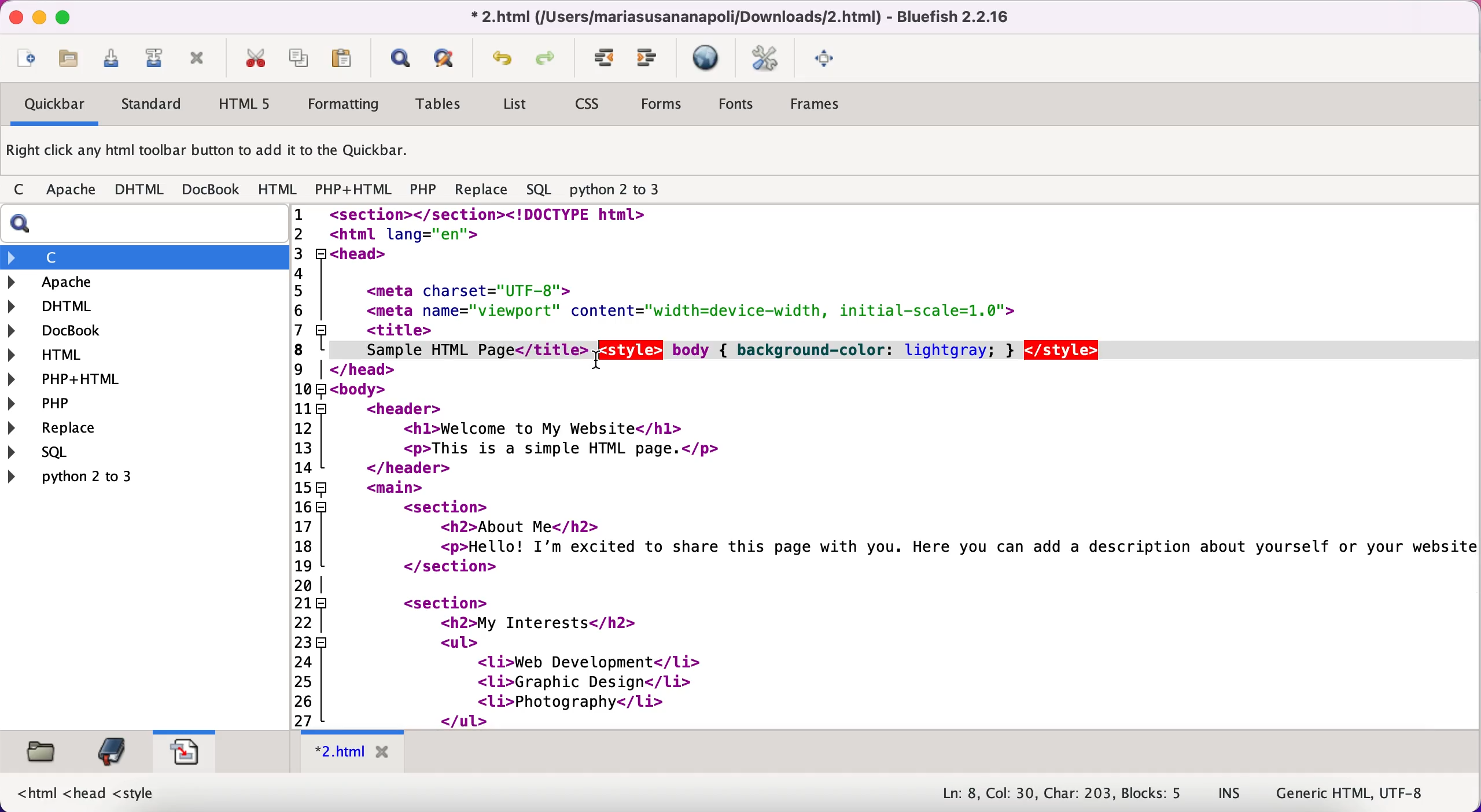  What do you see at coordinates (74, 62) in the screenshot?
I see `open file ` at bounding box center [74, 62].